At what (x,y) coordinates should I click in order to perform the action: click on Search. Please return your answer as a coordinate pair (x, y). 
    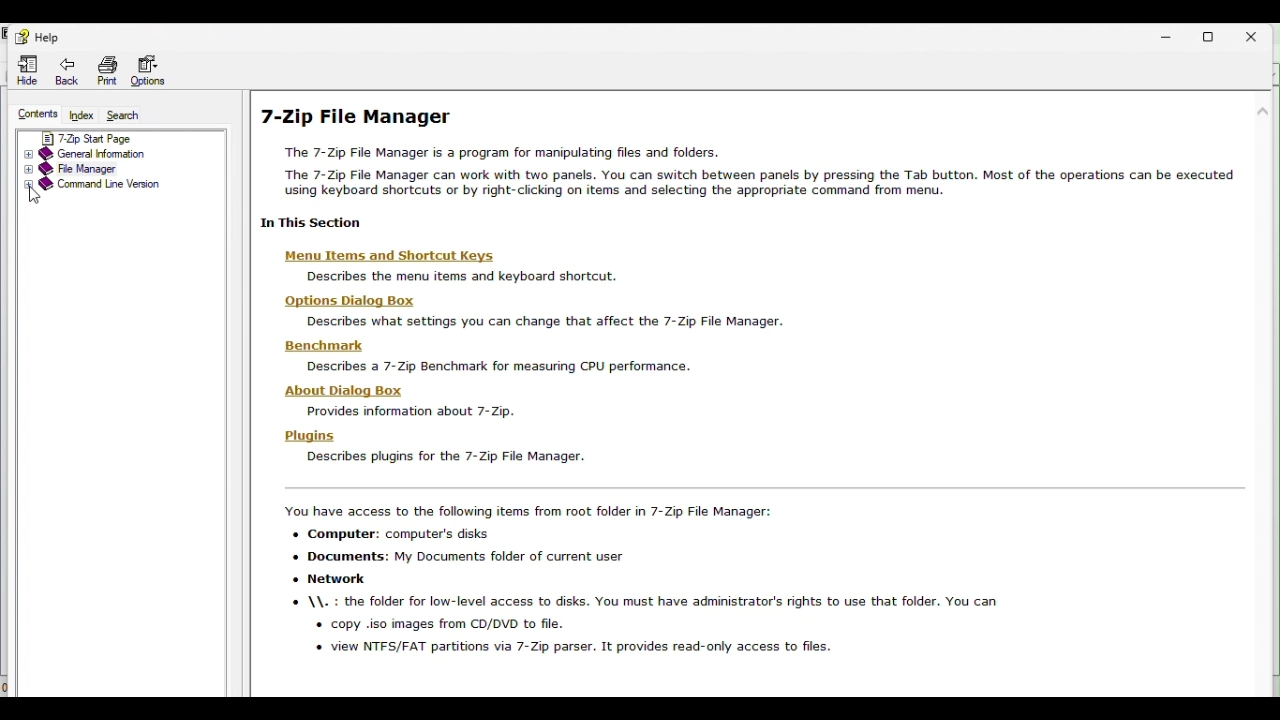
    Looking at the image, I should click on (120, 114).